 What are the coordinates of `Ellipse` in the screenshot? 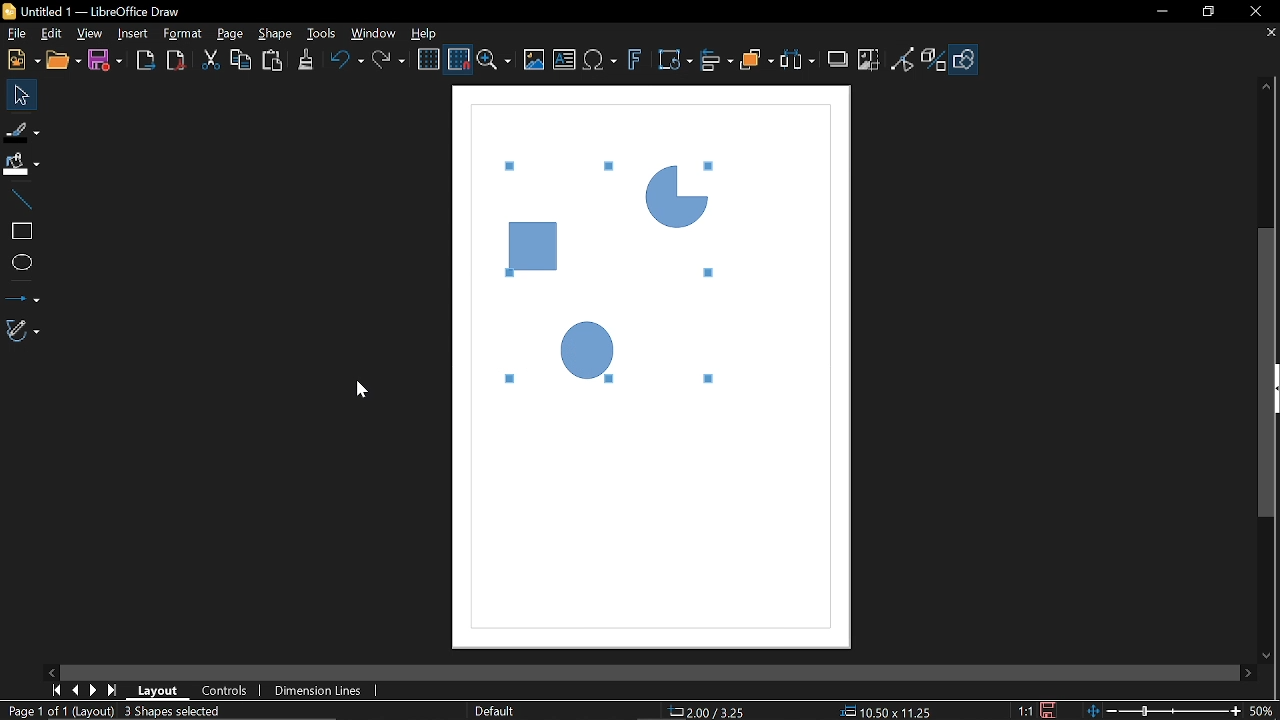 It's located at (19, 262).